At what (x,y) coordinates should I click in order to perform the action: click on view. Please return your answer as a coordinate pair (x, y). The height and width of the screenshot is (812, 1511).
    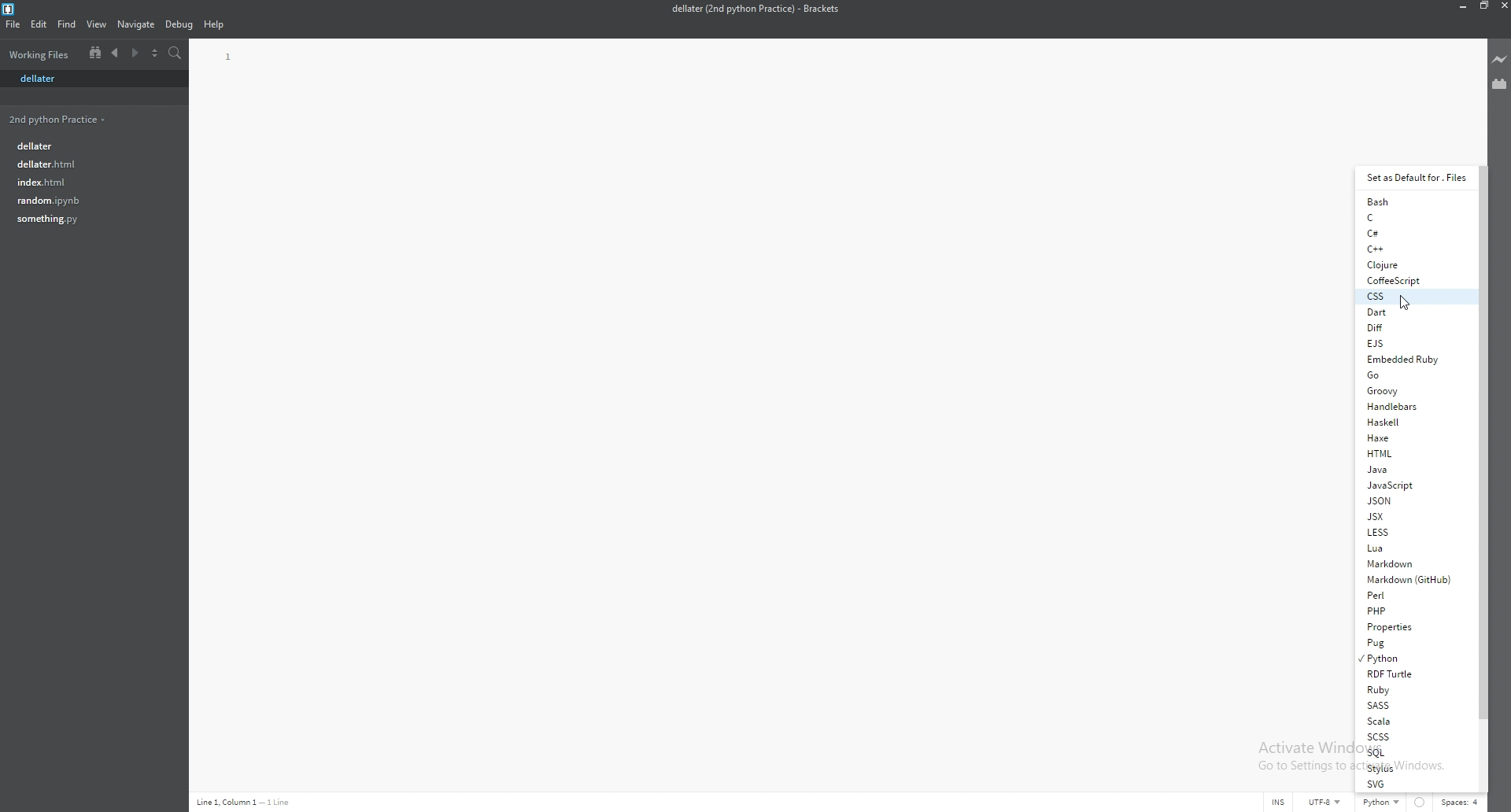
    Looking at the image, I should click on (98, 24).